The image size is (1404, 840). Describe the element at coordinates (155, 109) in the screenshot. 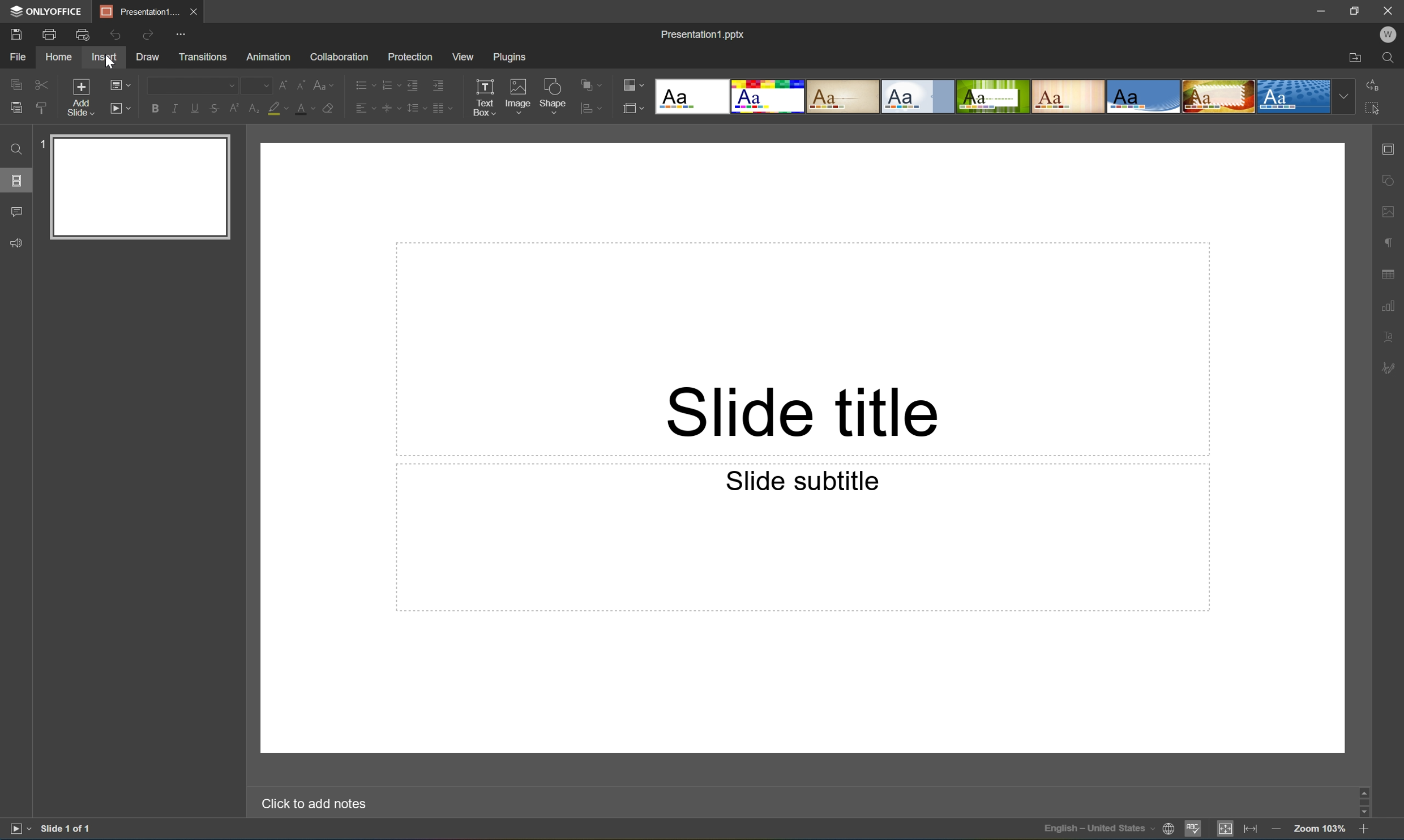

I see `Bold` at that location.